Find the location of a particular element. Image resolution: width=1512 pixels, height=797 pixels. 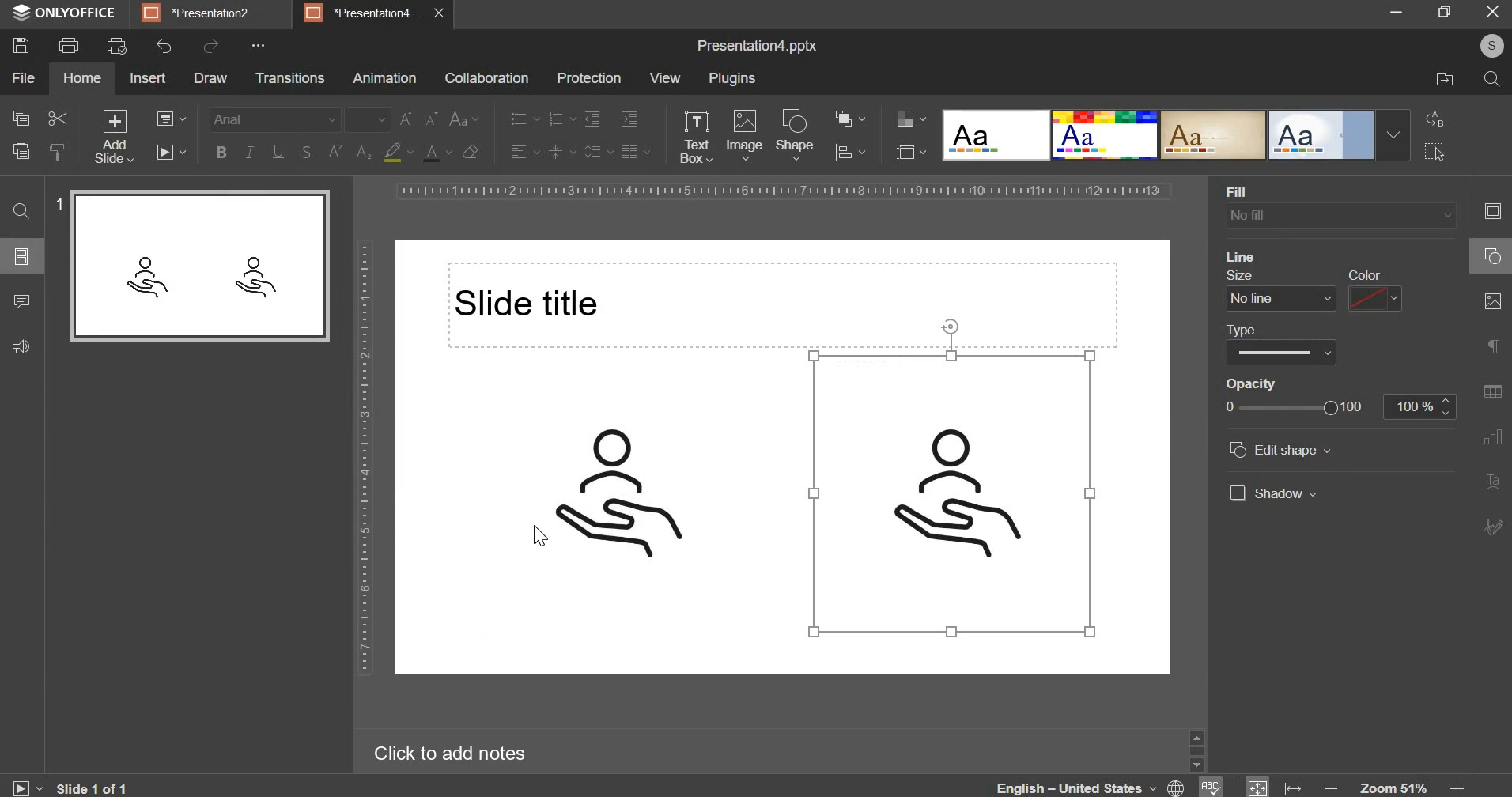

file location is located at coordinates (1445, 80).